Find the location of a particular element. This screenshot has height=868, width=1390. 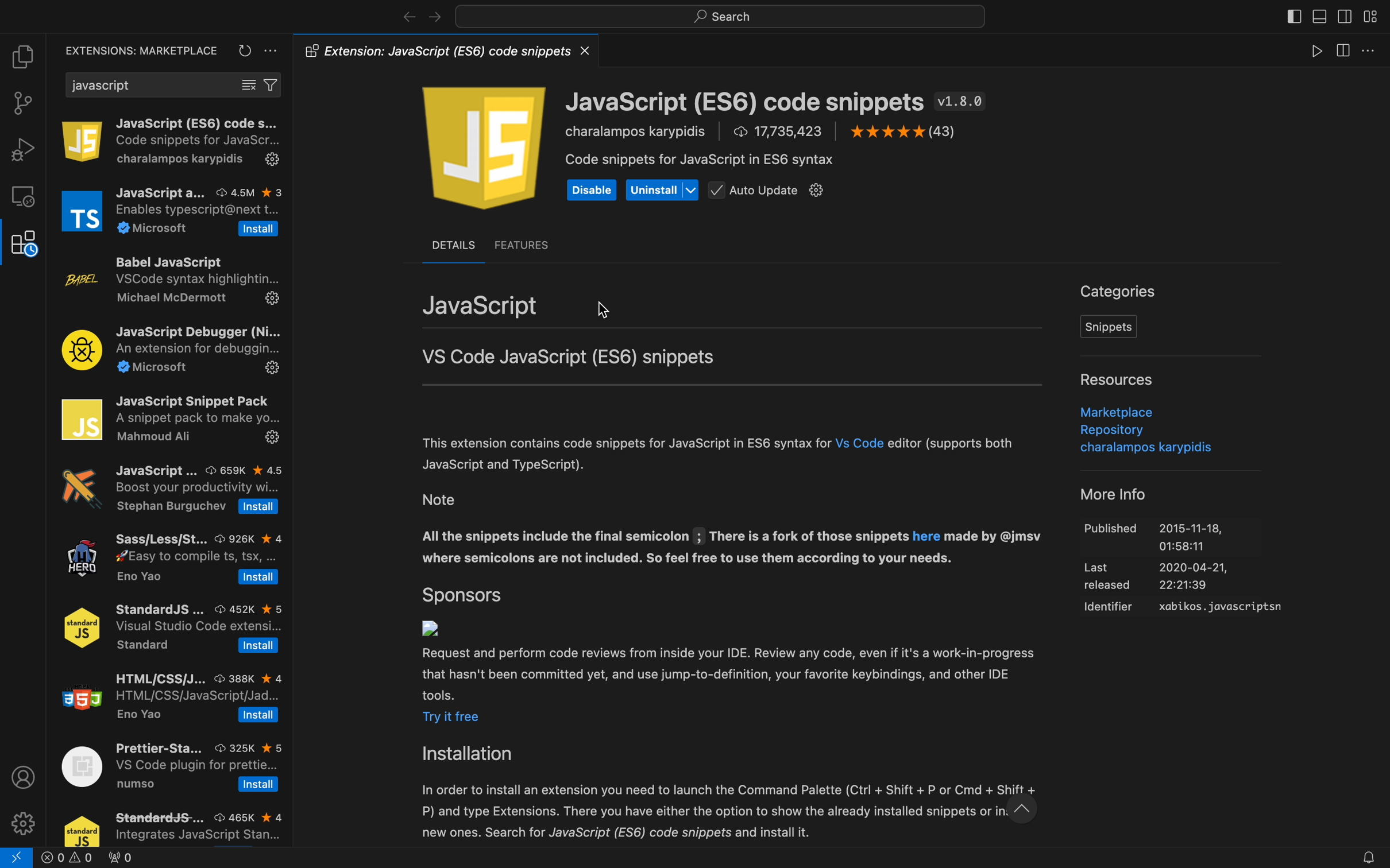

Marketplace is located at coordinates (1113, 412).